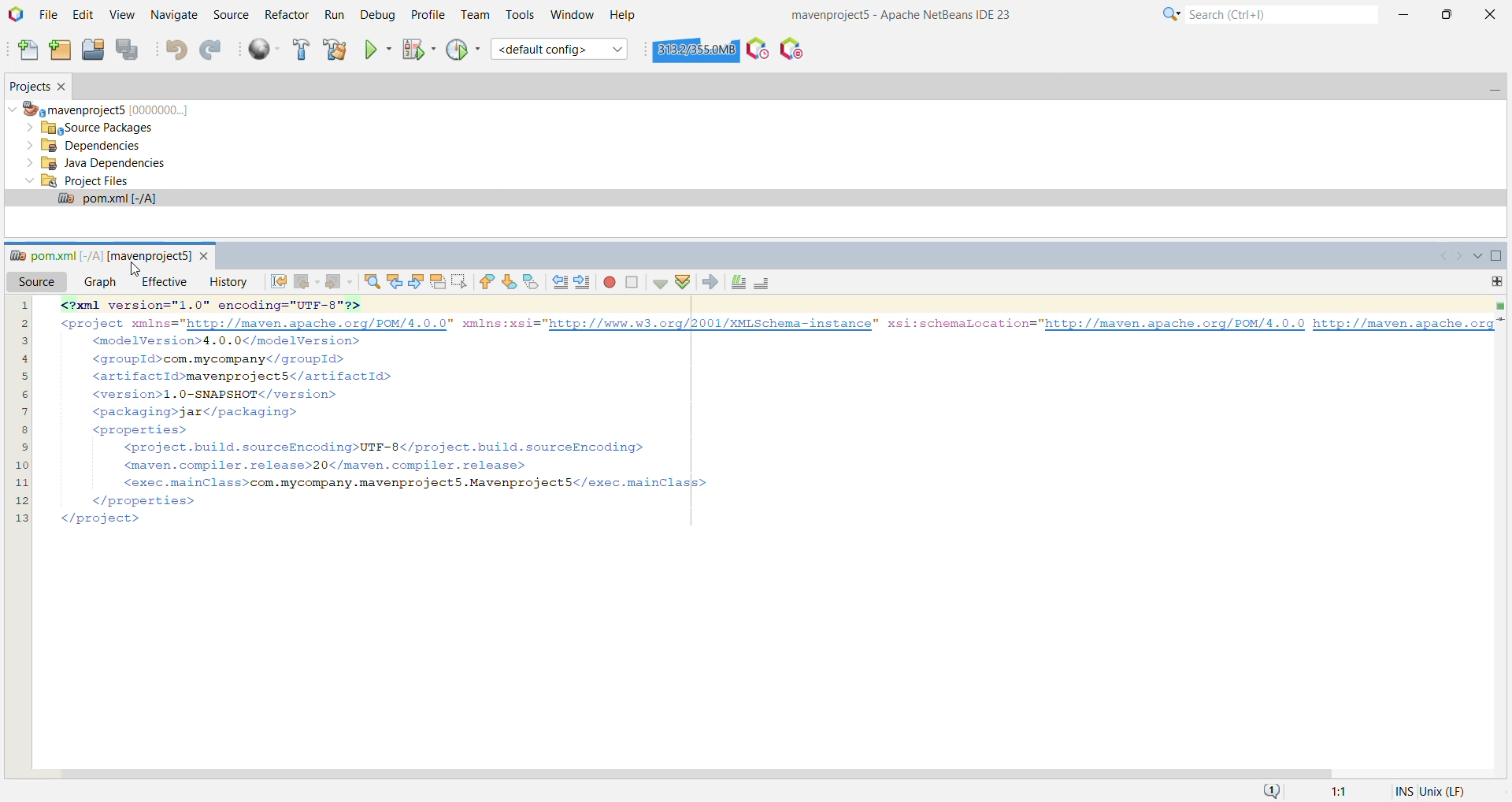 This screenshot has height=802, width=1512. What do you see at coordinates (20, 444) in the screenshot?
I see `9` at bounding box center [20, 444].